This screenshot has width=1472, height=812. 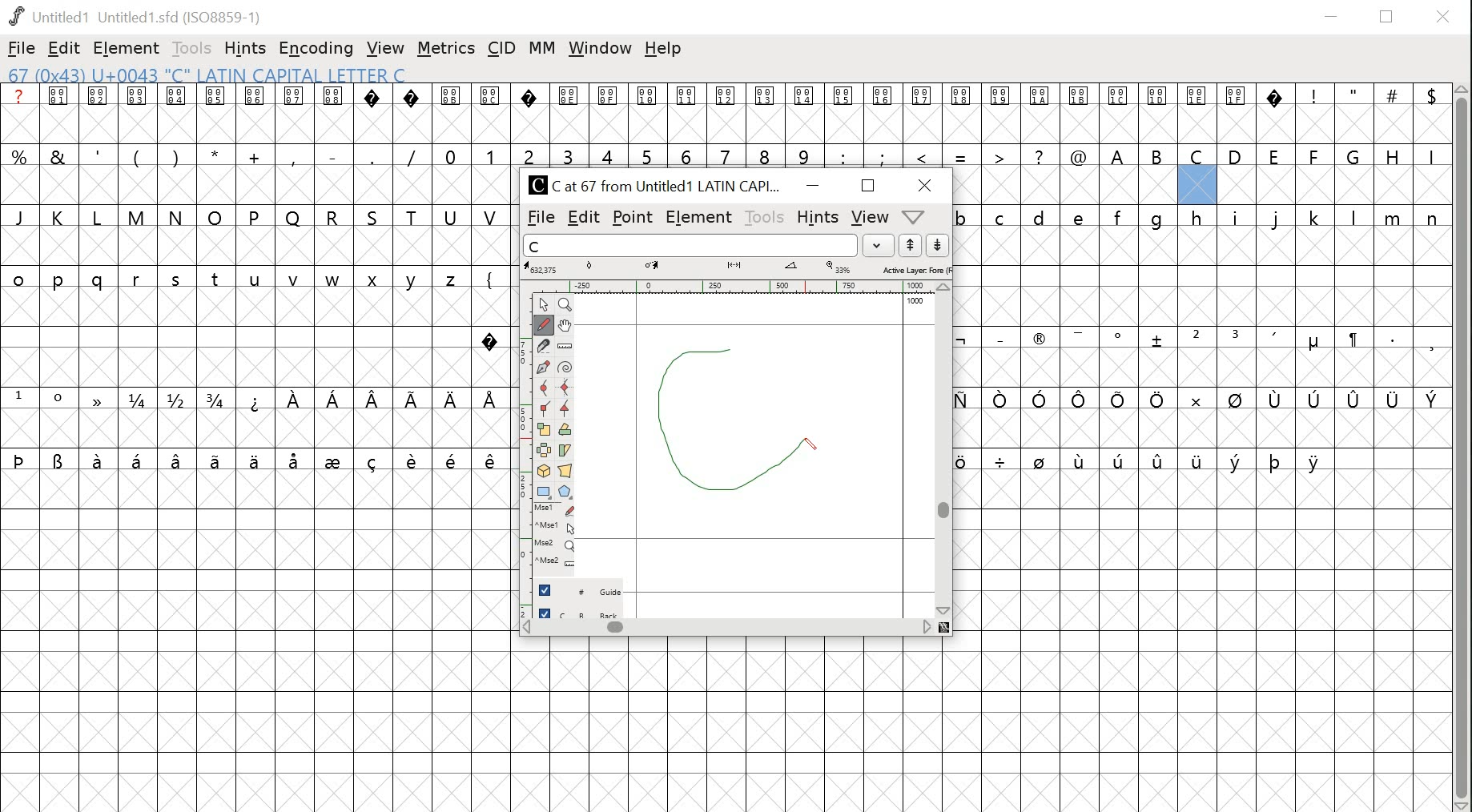 What do you see at coordinates (868, 215) in the screenshot?
I see `view` at bounding box center [868, 215].